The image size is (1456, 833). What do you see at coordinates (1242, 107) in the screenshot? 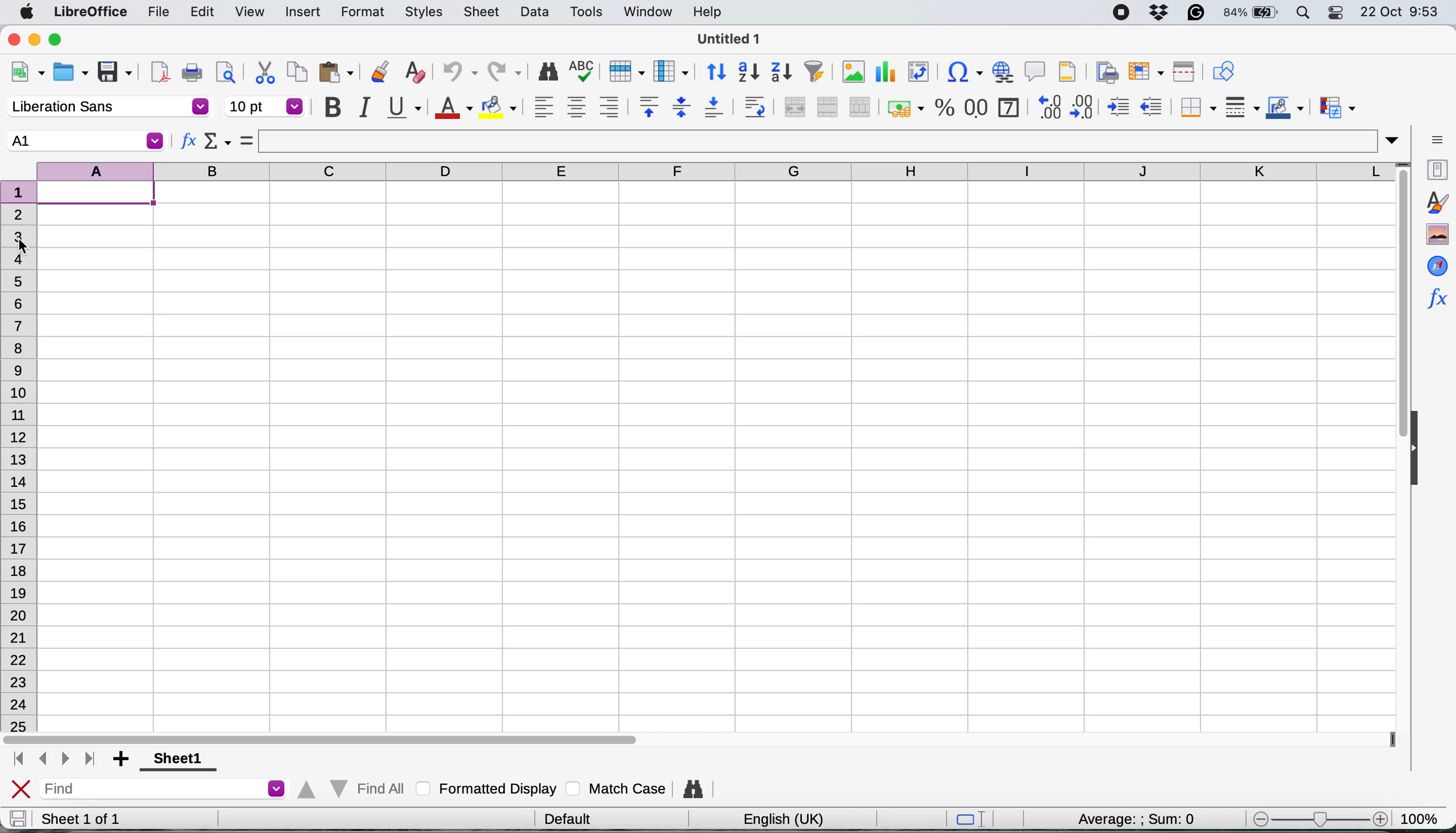
I see `border styles` at bounding box center [1242, 107].